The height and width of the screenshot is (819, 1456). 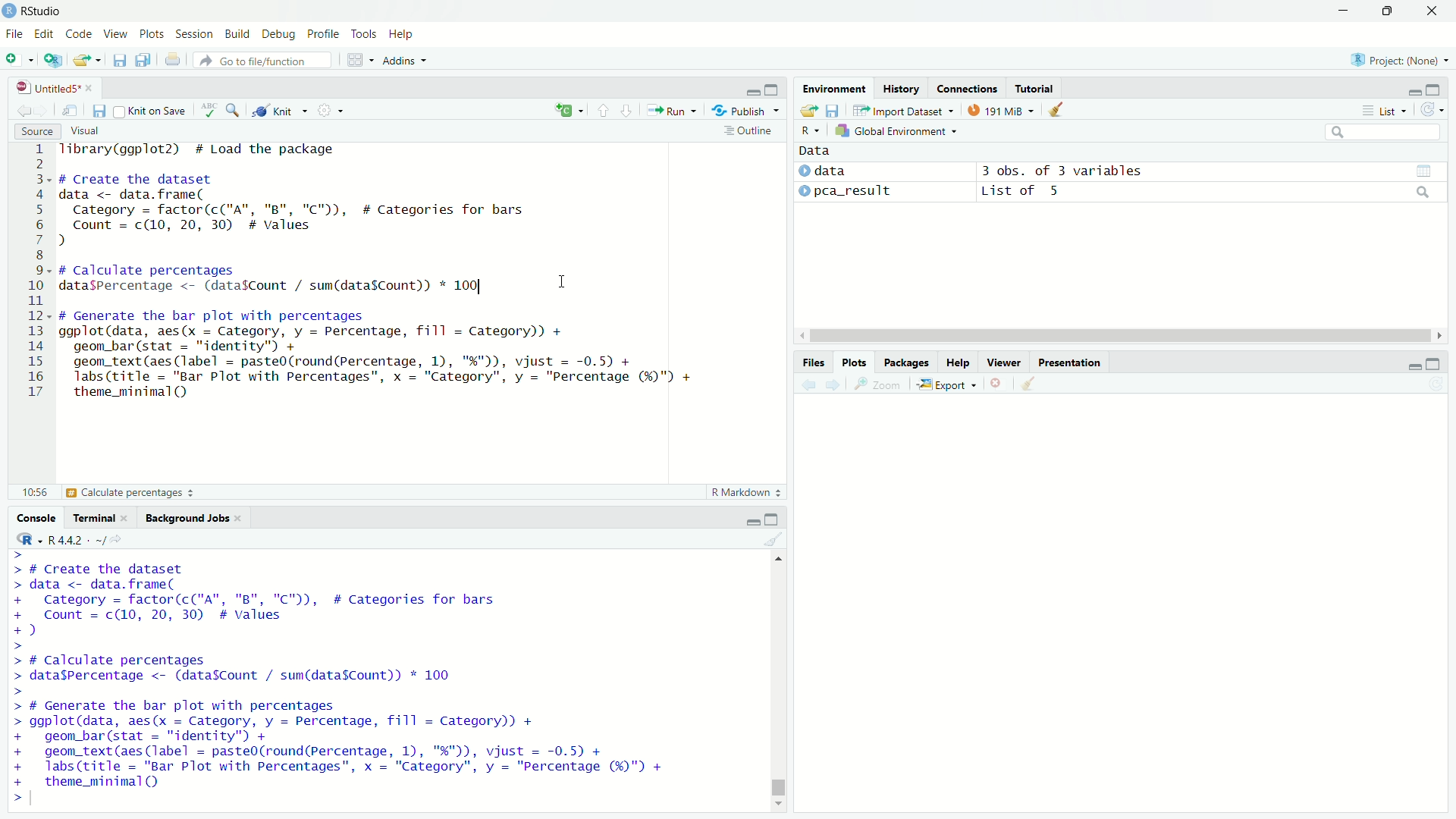 I want to click on open an existing file, so click(x=86, y=60).